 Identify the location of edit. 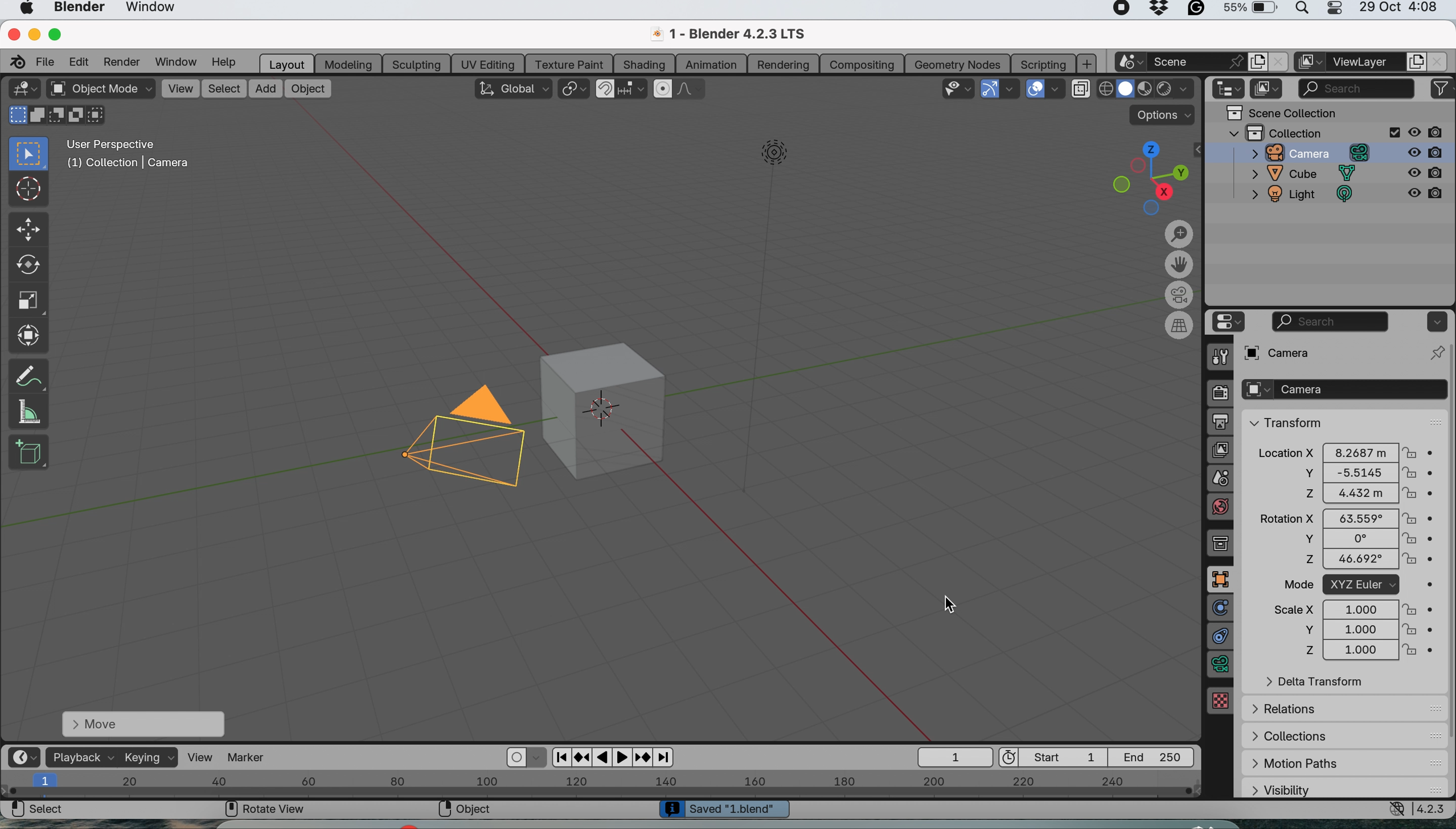
(79, 61).